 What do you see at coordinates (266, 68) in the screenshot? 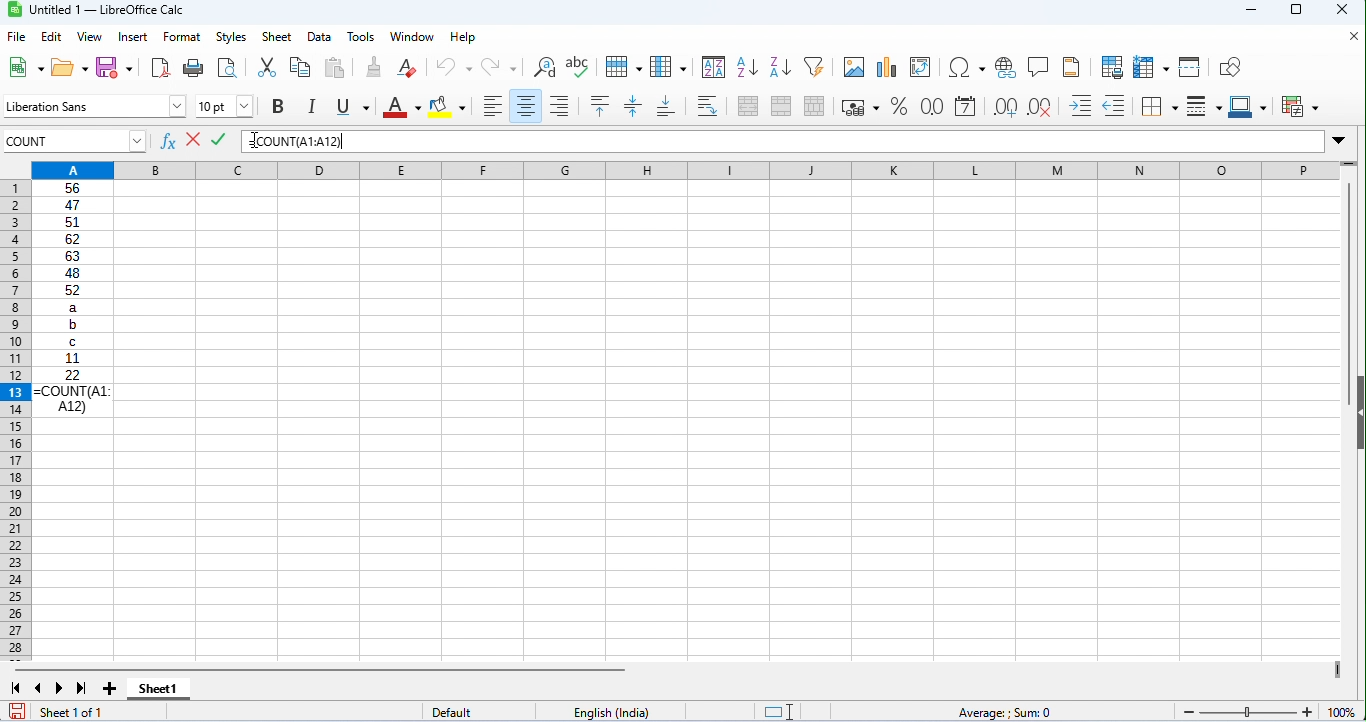
I see `cut` at bounding box center [266, 68].